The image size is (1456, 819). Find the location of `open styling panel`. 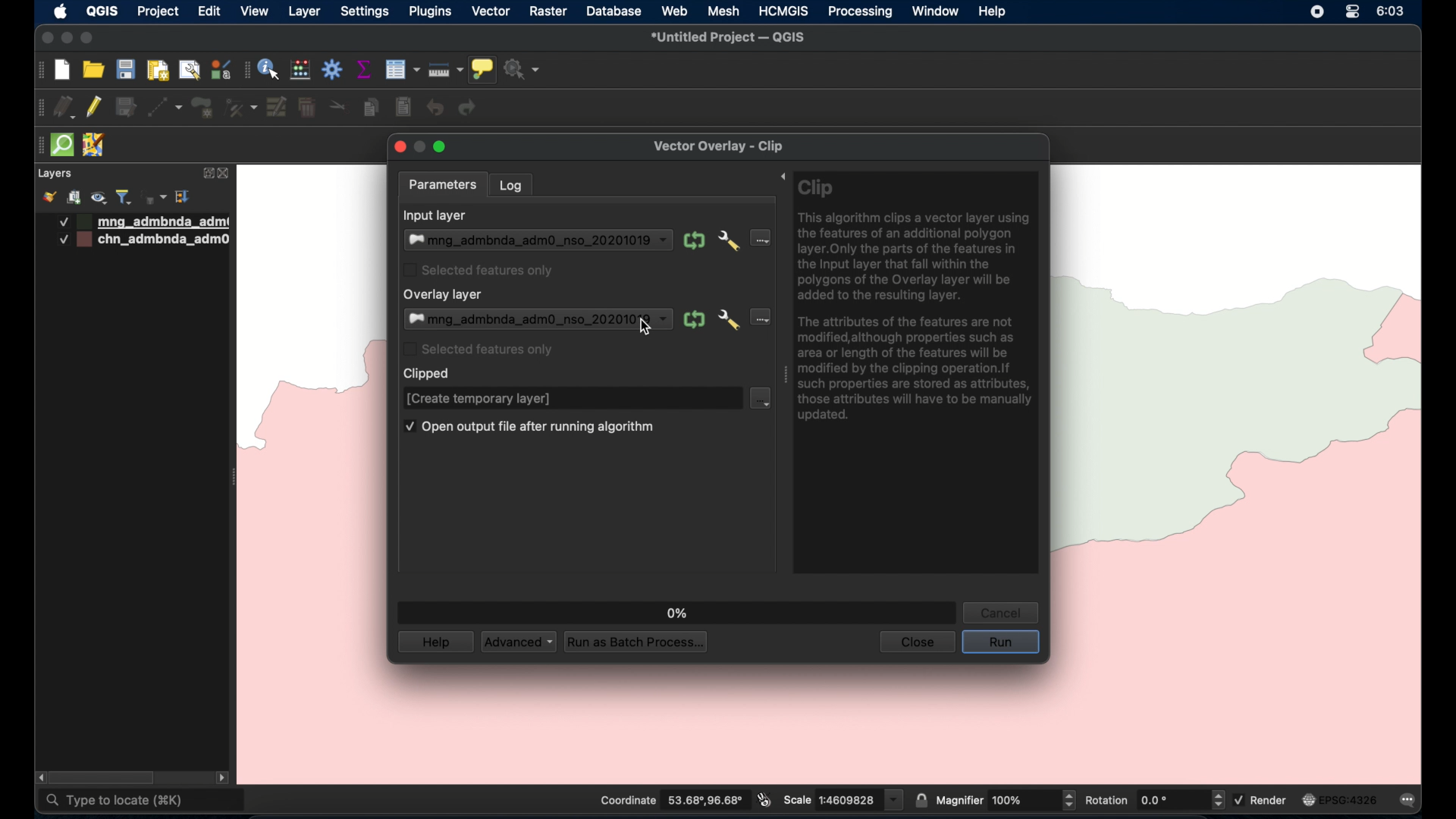

open styling panel is located at coordinates (48, 197).